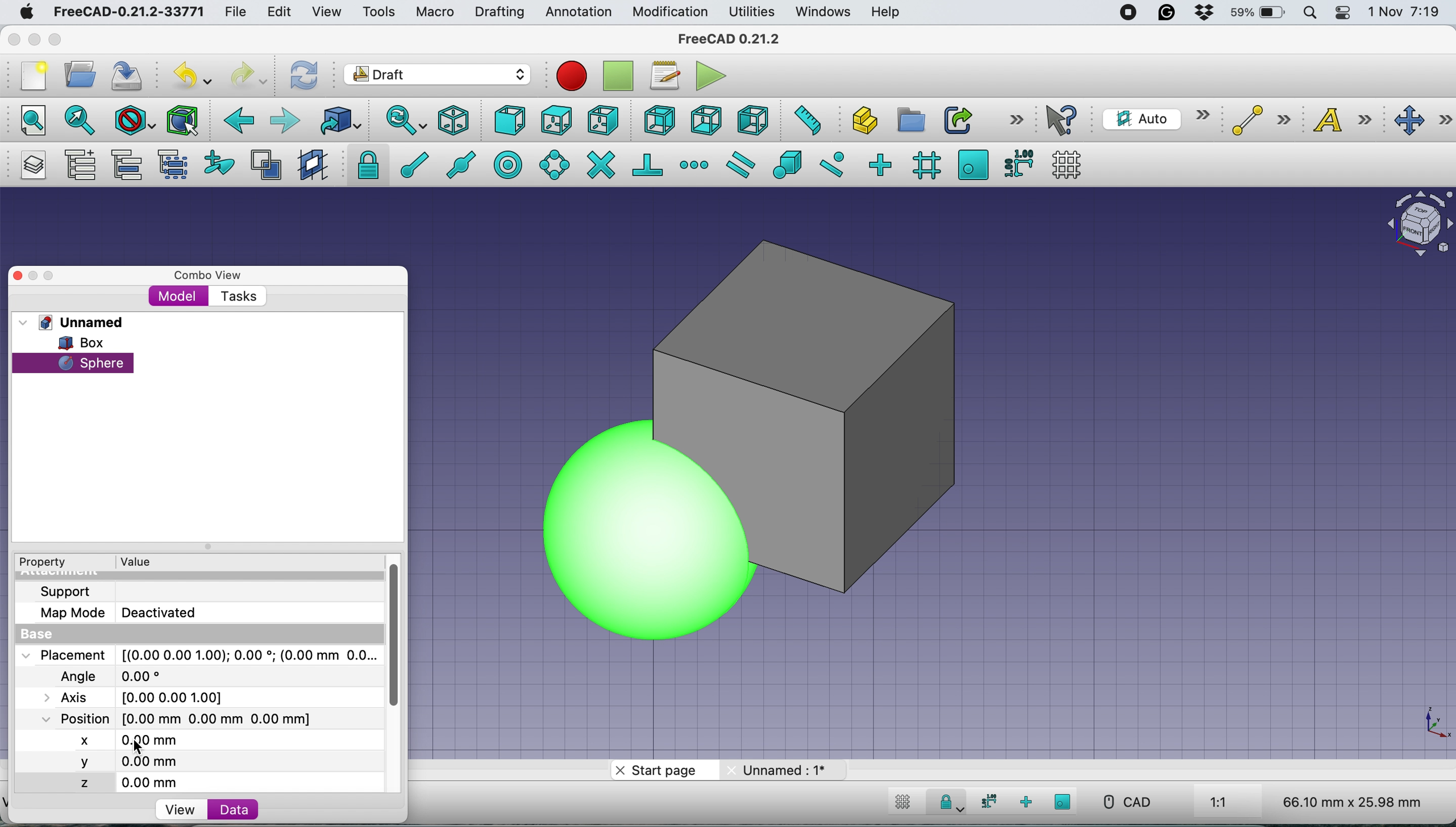  What do you see at coordinates (649, 164) in the screenshot?
I see `snap perpendicular` at bounding box center [649, 164].